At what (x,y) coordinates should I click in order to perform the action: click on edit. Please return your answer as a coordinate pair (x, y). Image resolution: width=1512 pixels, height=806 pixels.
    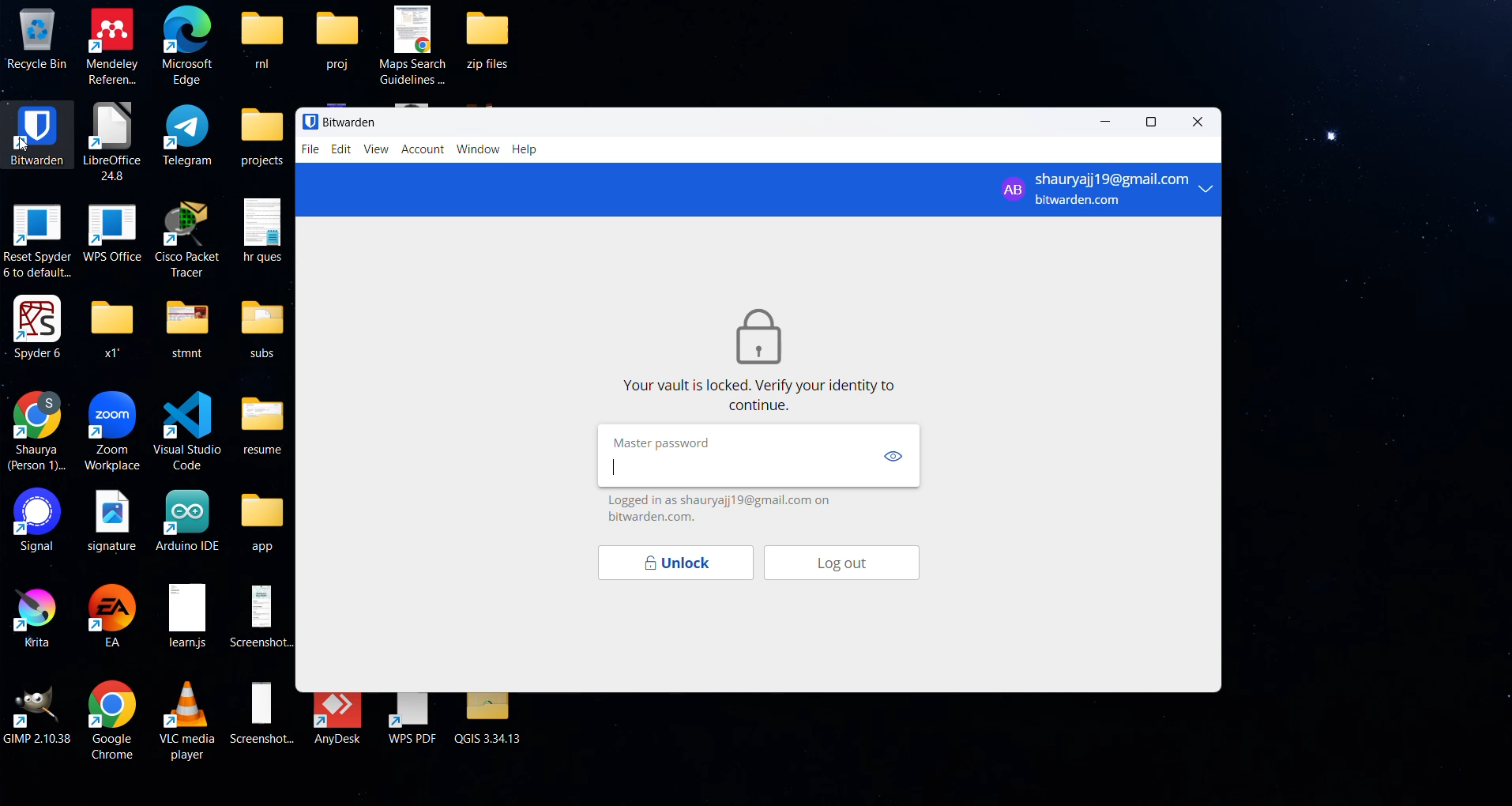
    Looking at the image, I should click on (340, 149).